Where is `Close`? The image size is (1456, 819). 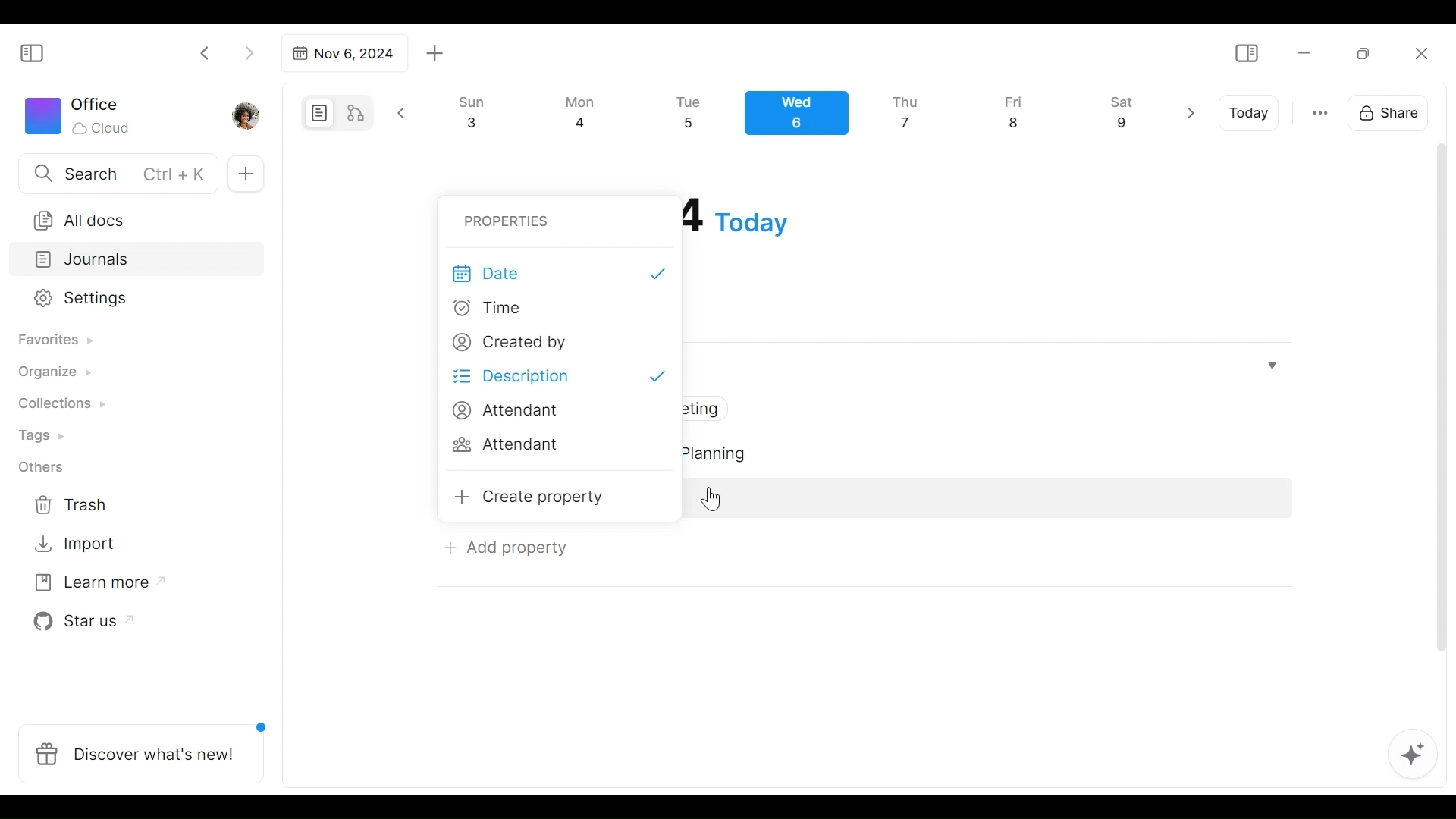 Close is located at coordinates (1420, 53).